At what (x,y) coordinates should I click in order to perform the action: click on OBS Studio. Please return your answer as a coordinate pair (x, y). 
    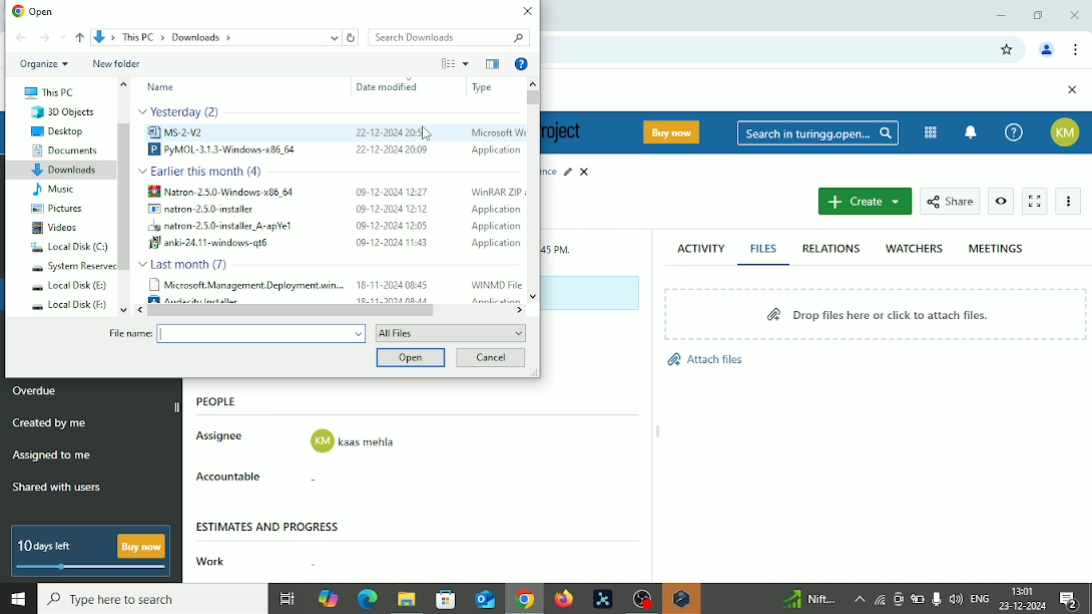
    Looking at the image, I should click on (640, 599).